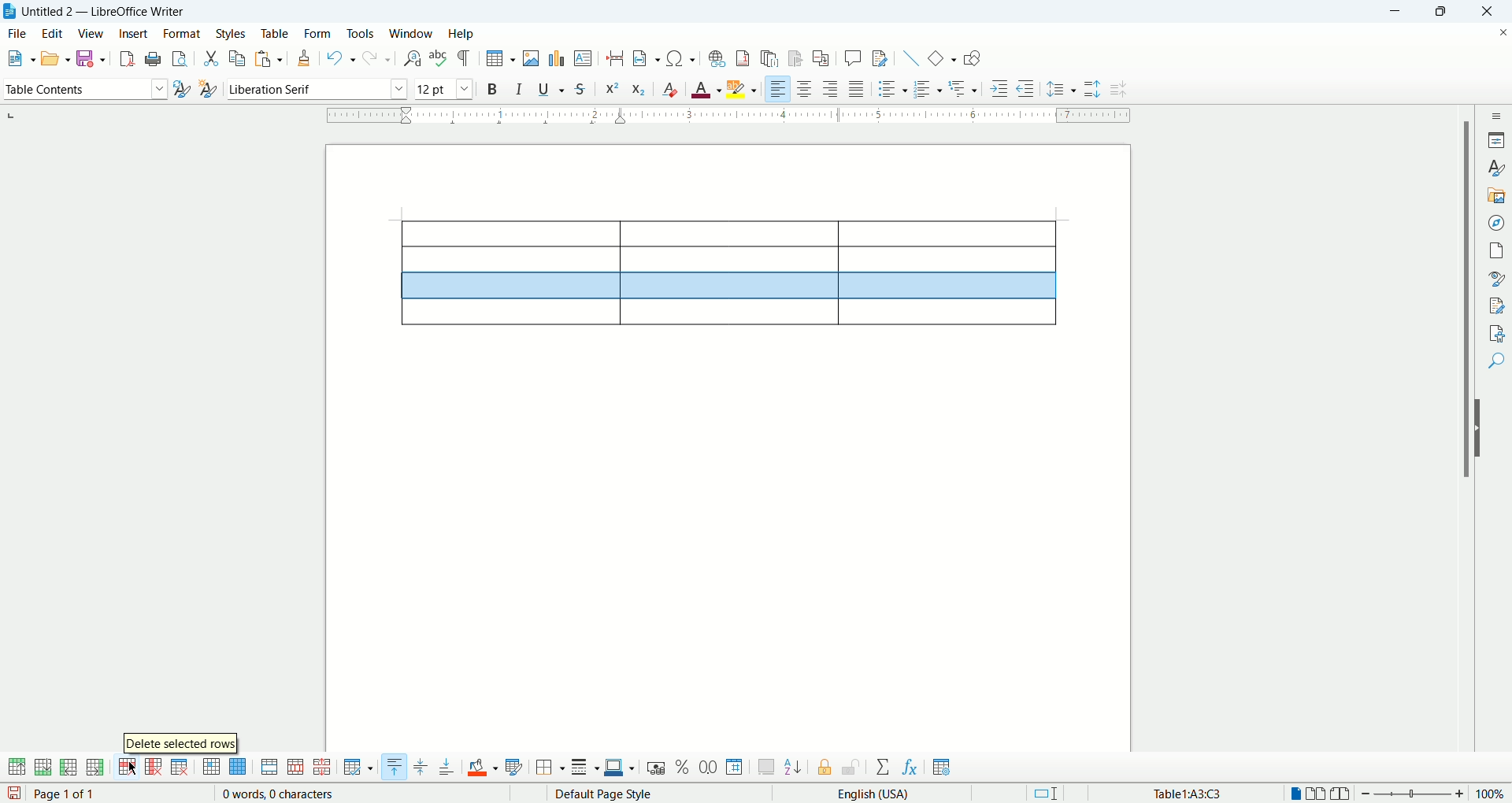  What do you see at coordinates (74, 794) in the screenshot?
I see `page 1 of 1` at bounding box center [74, 794].